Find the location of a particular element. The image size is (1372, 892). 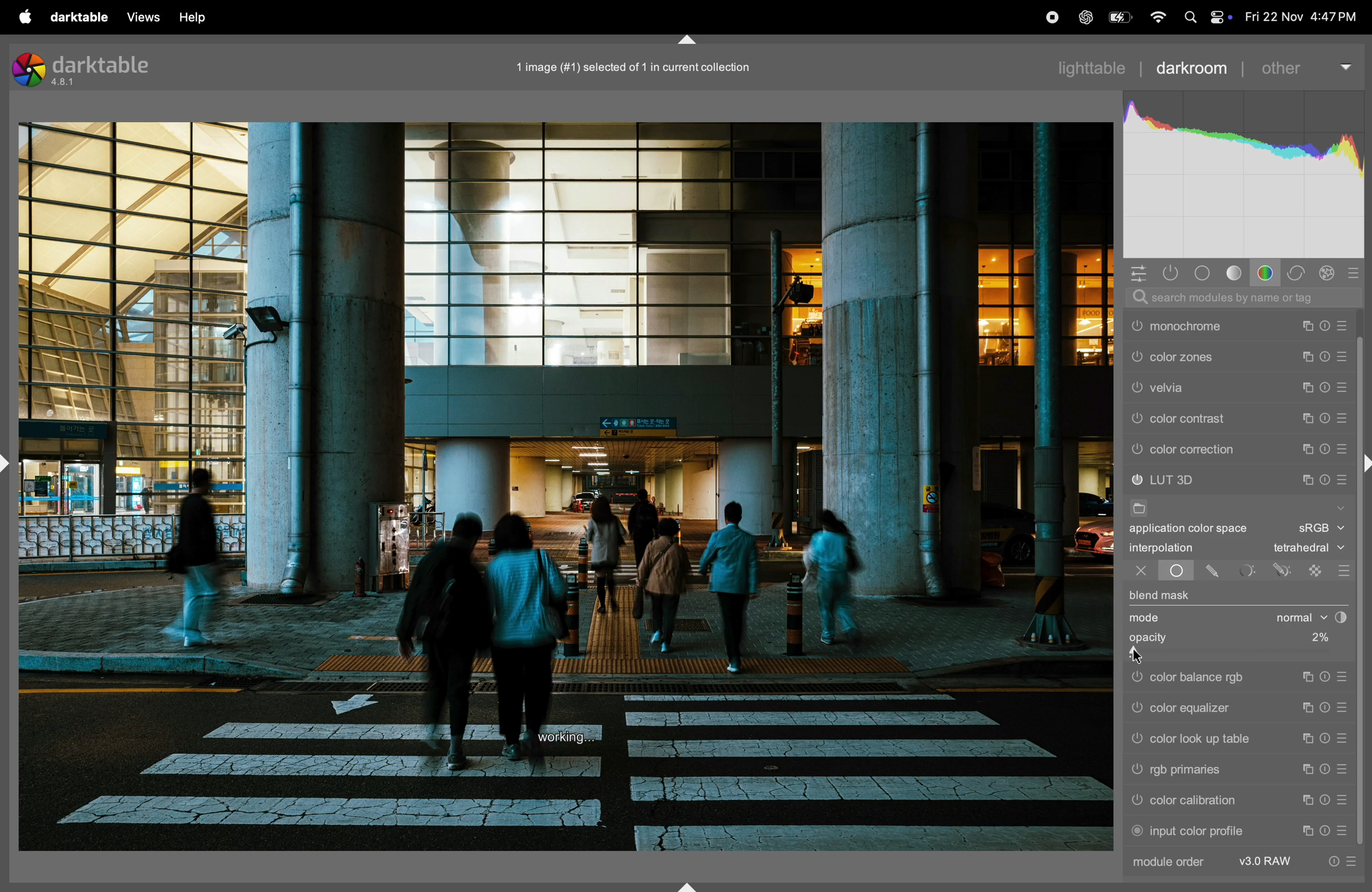

velvia  is located at coordinates (1222, 415).